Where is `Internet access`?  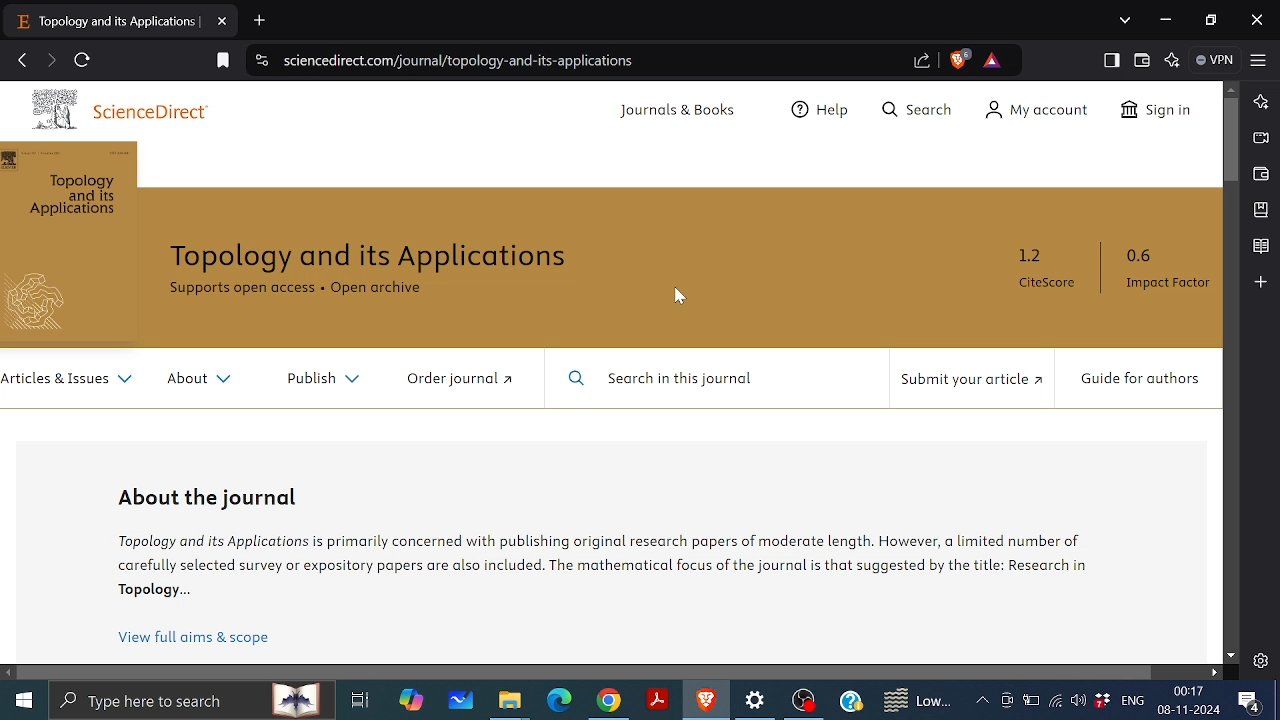 Internet access is located at coordinates (1052, 701).